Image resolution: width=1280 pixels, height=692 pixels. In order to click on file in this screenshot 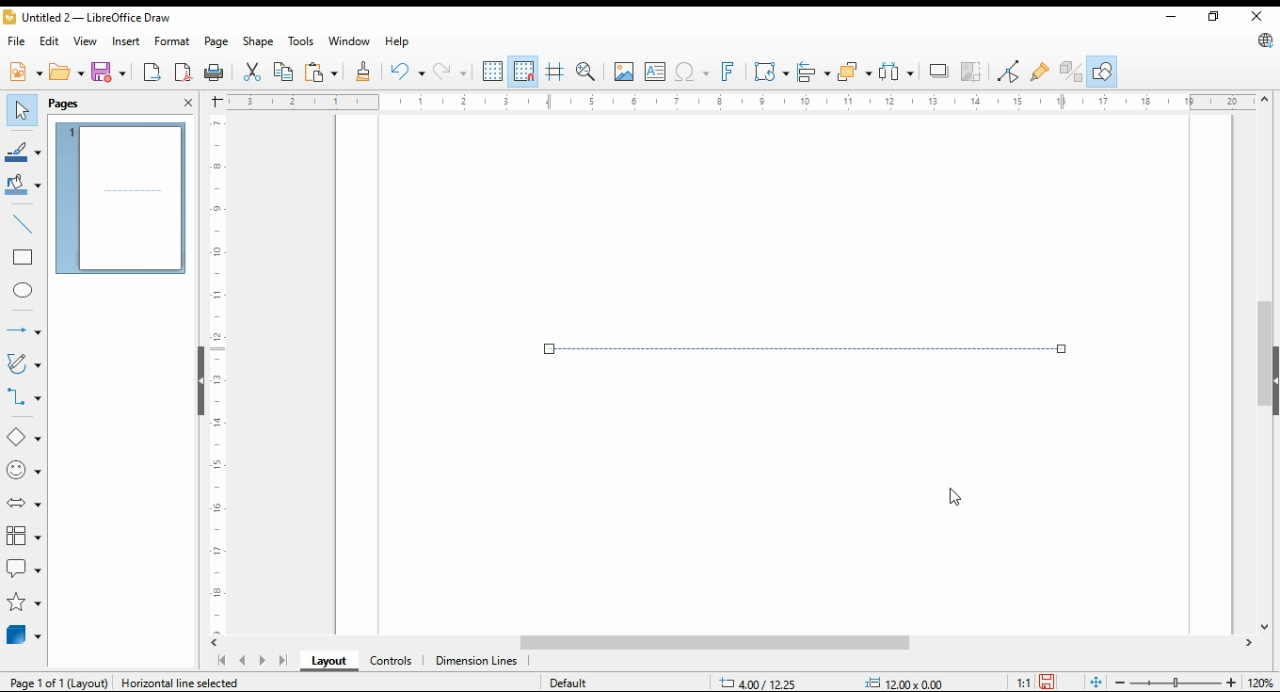, I will do `click(18, 40)`.